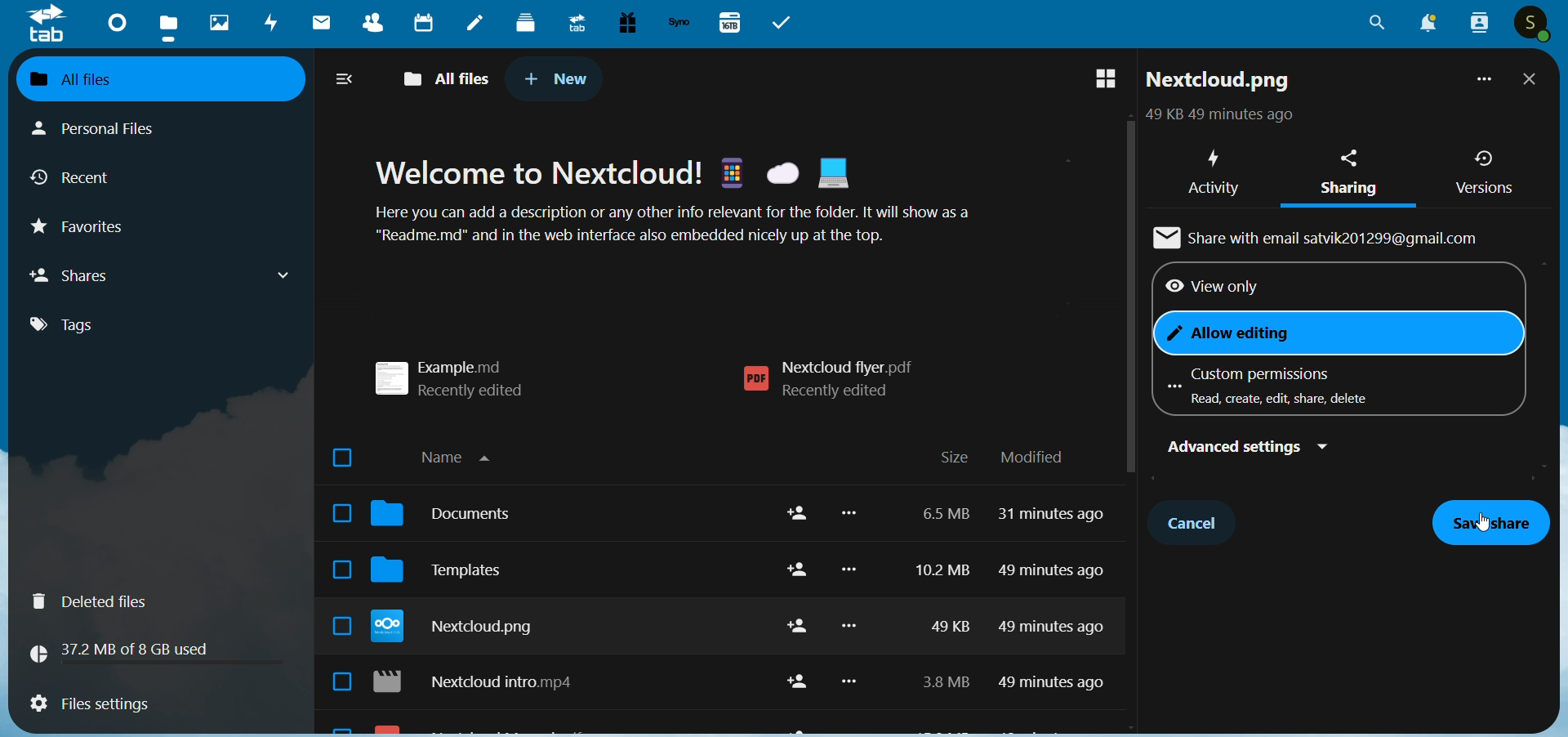  I want to click on close pane, so click(1530, 81).